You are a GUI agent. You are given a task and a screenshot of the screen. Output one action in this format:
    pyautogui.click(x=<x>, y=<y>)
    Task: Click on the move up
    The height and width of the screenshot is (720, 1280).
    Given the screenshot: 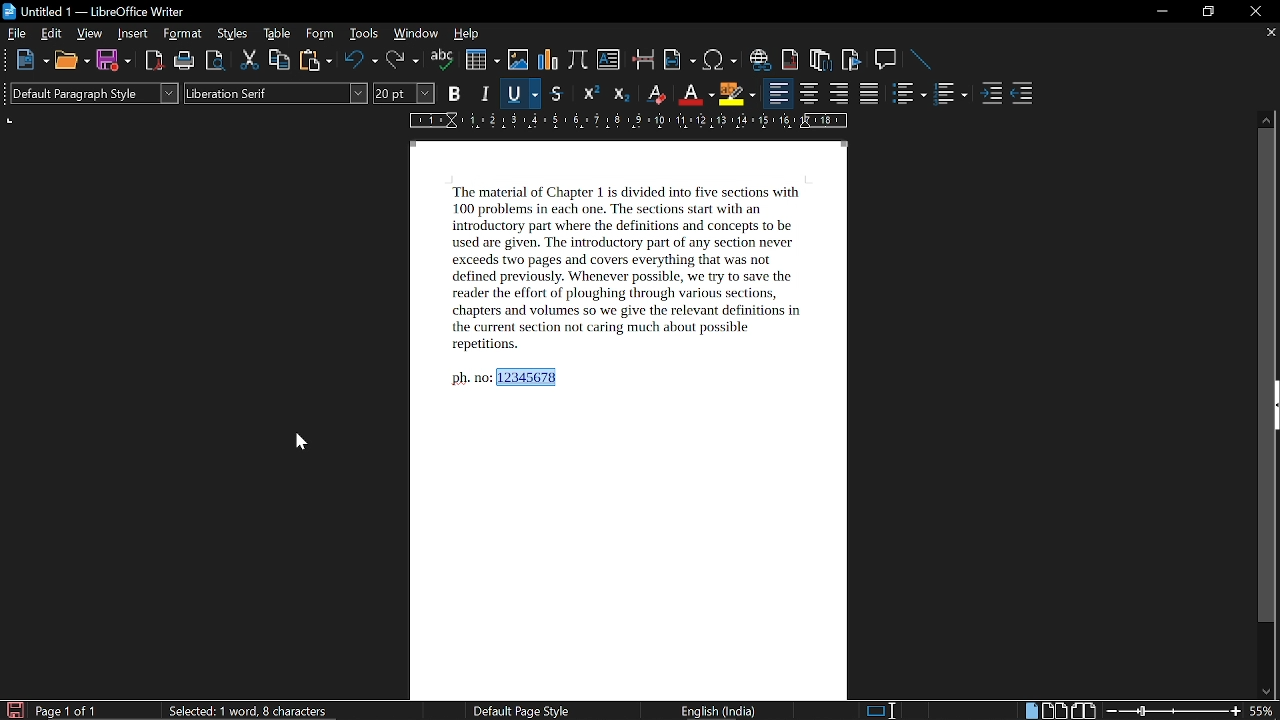 What is the action you would take?
    pyautogui.click(x=1265, y=119)
    